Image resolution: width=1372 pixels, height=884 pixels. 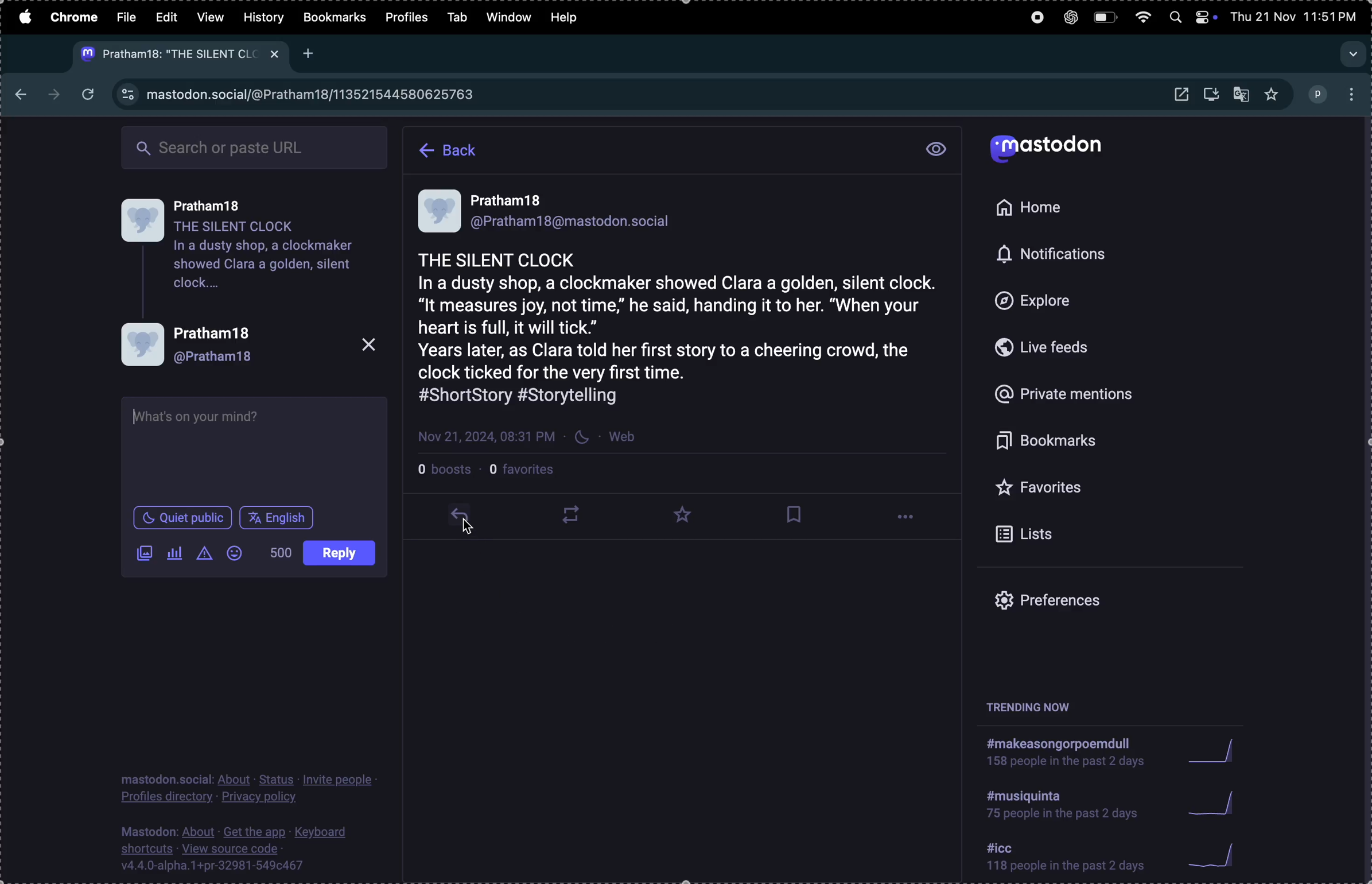 What do you see at coordinates (1067, 803) in the screenshot?
I see `hashtag` at bounding box center [1067, 803].